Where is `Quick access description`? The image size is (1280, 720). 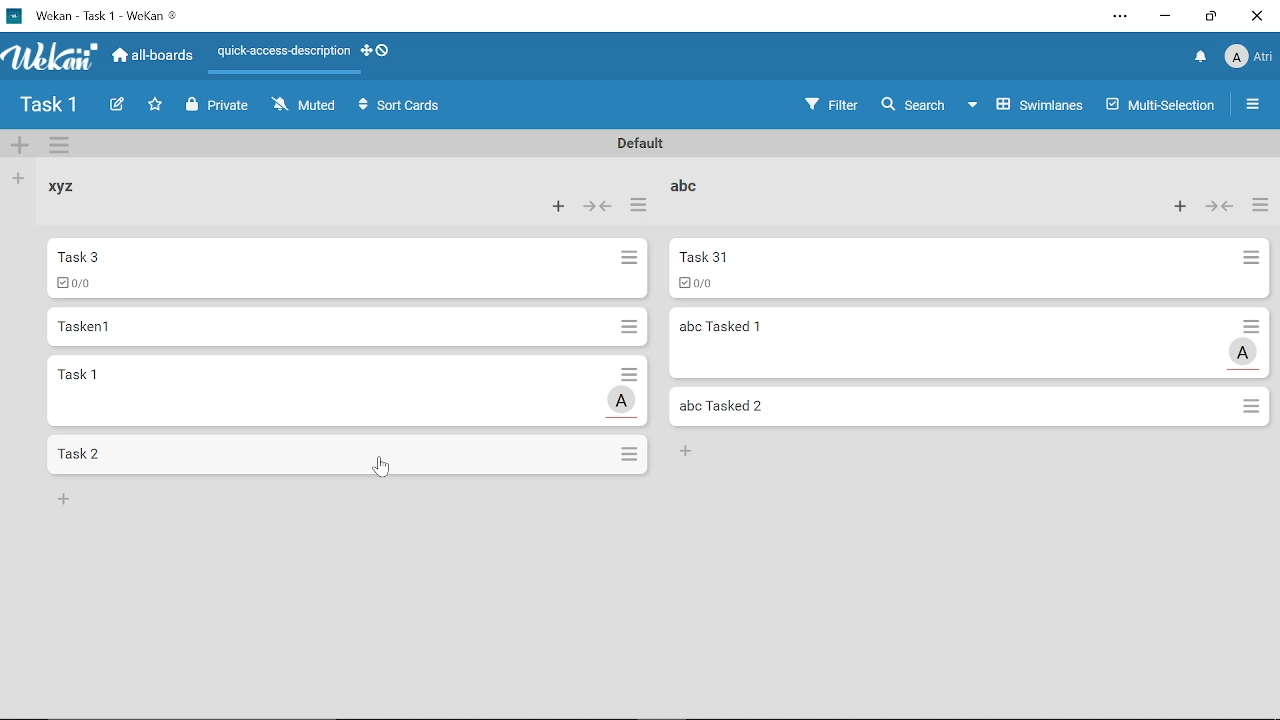
Quick access description is located at coordinates (280, 55).